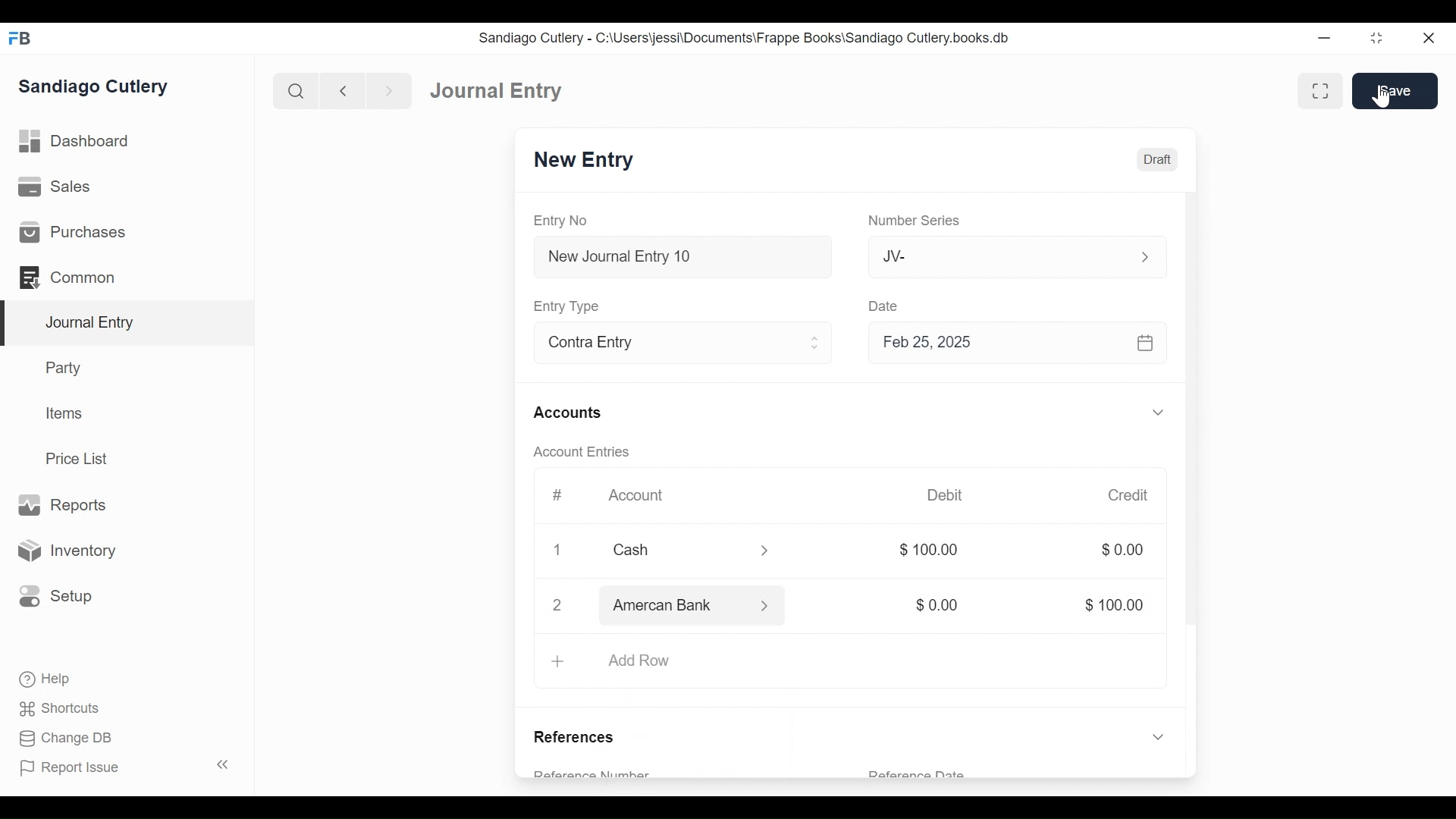  I want to click on Entry No, so click(565, 220).